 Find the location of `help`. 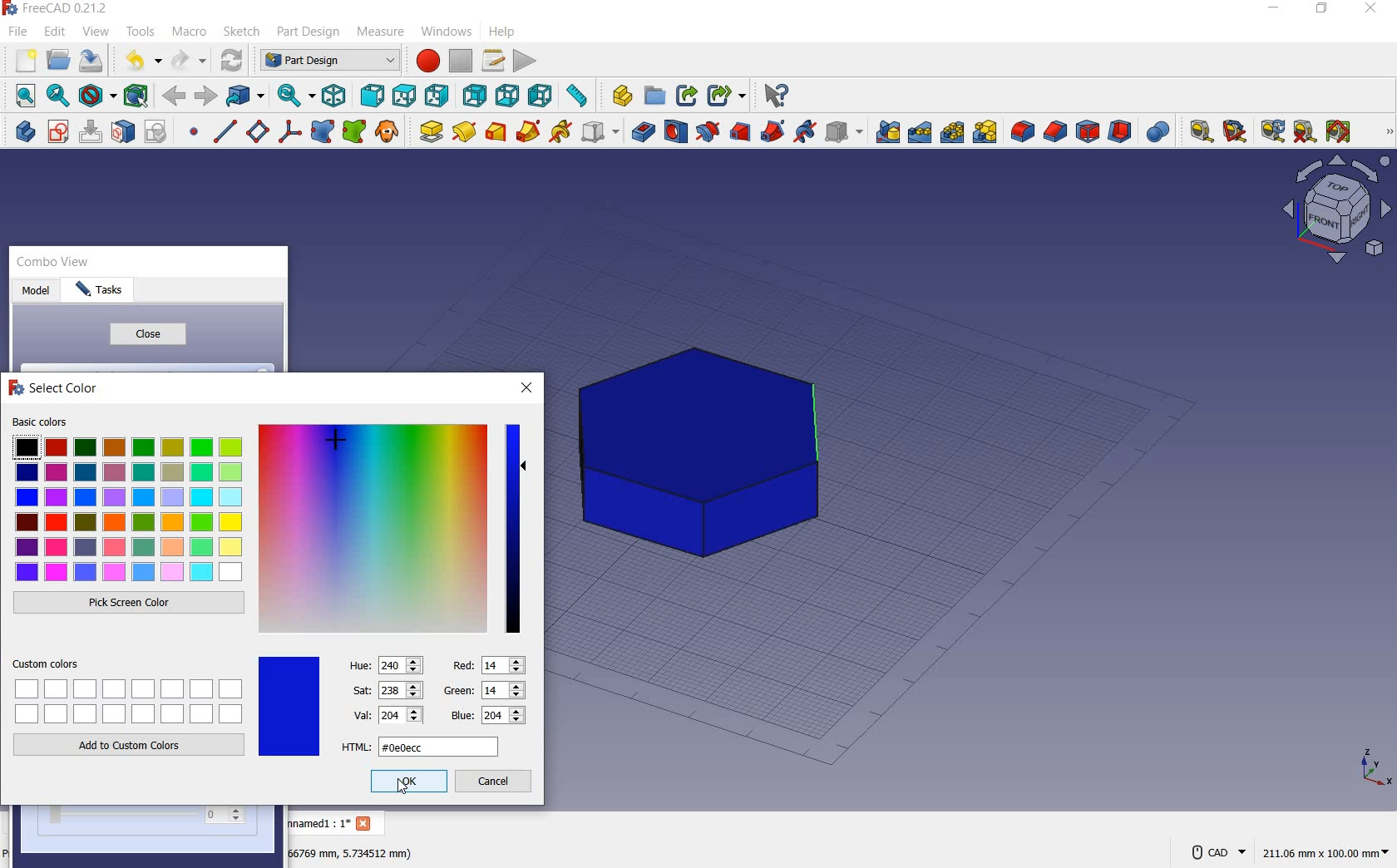

help is located at coordinates (511, 32).